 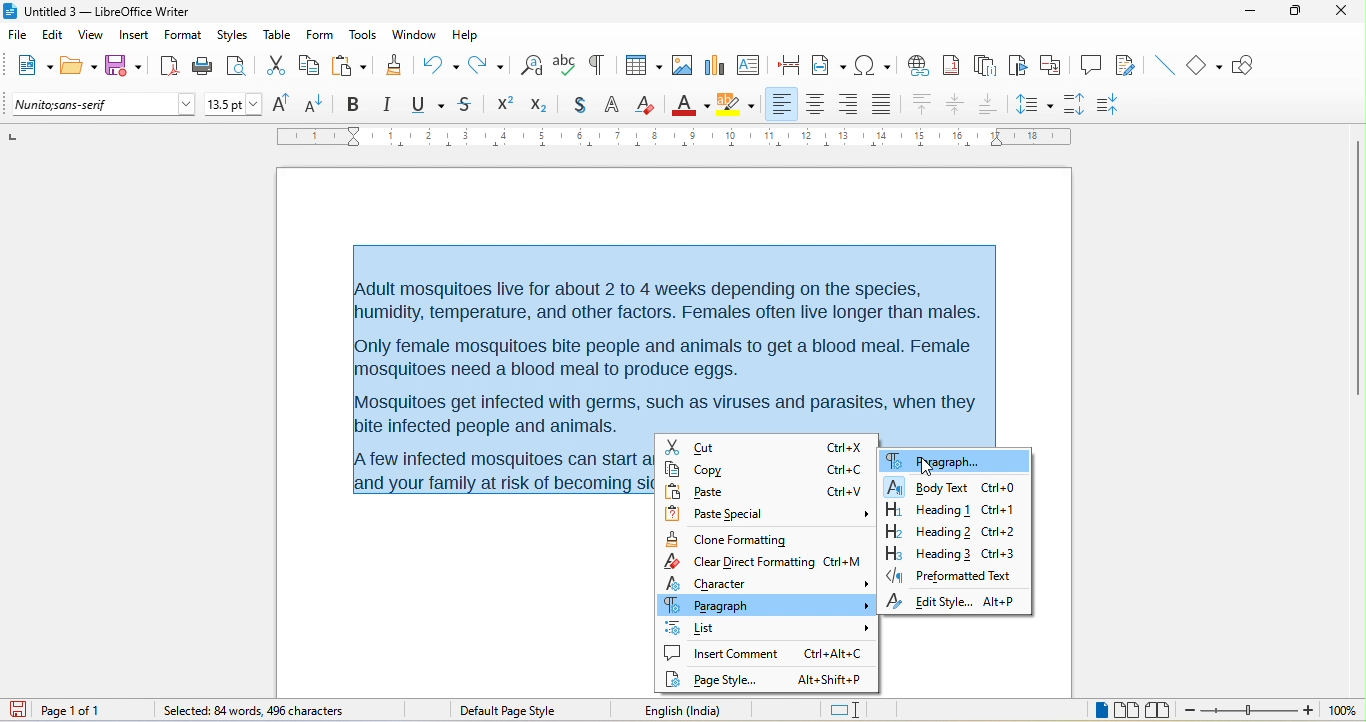 What do you see at coordinates (183, 37) in the screenshot?
I see `format` at bounding box center [183, 37].